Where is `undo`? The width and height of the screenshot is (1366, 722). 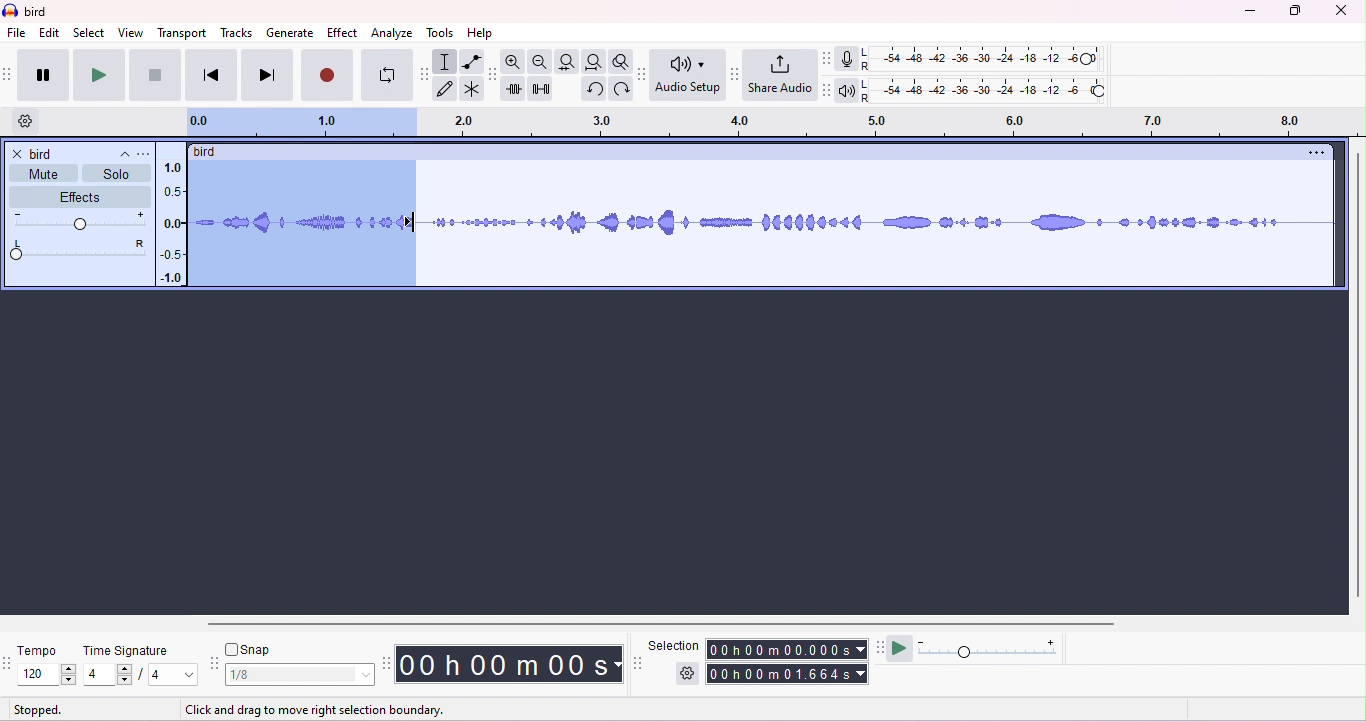 undo is located at coordinates (595, 89).